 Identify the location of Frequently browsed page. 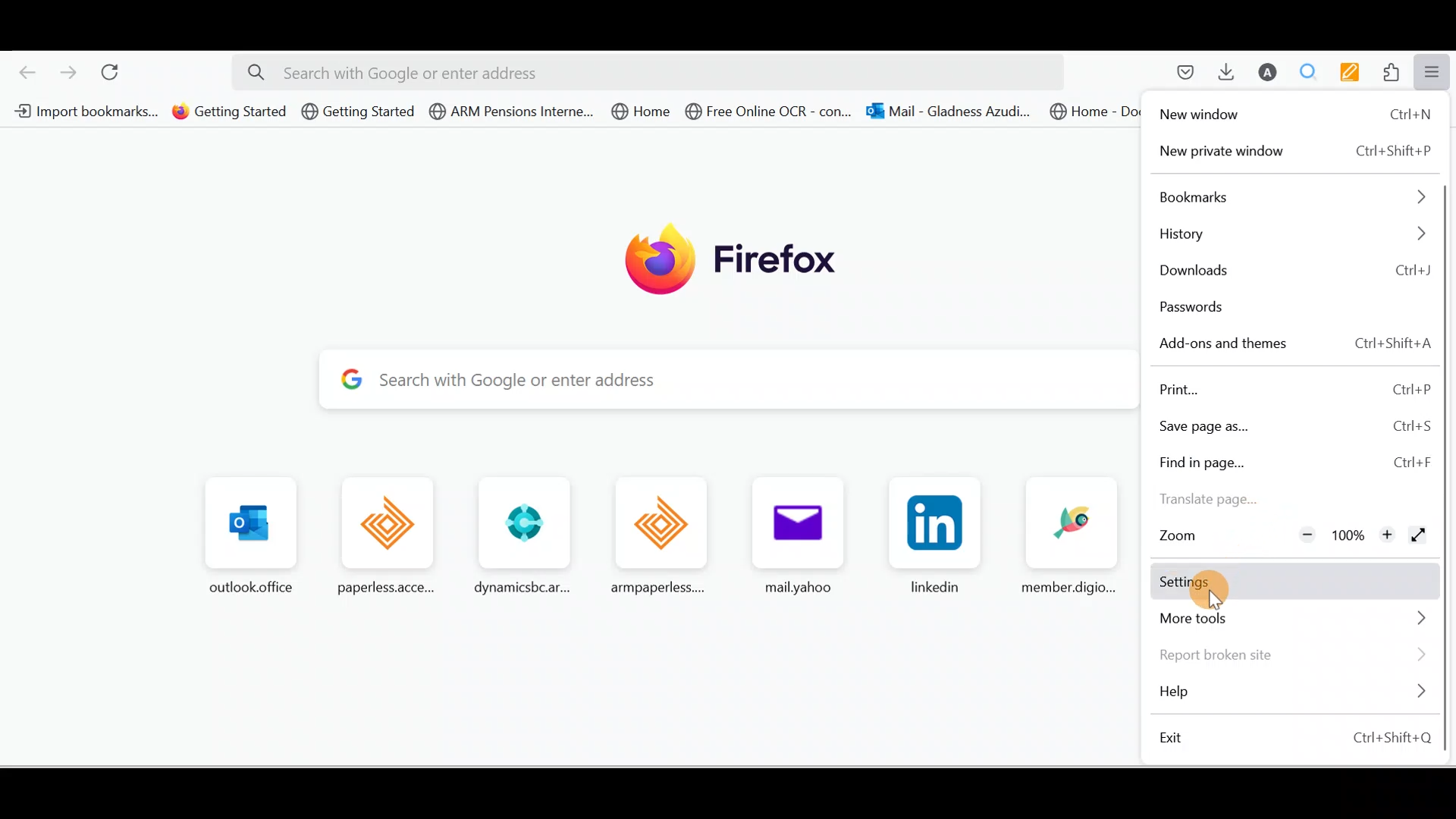
(649, 531).